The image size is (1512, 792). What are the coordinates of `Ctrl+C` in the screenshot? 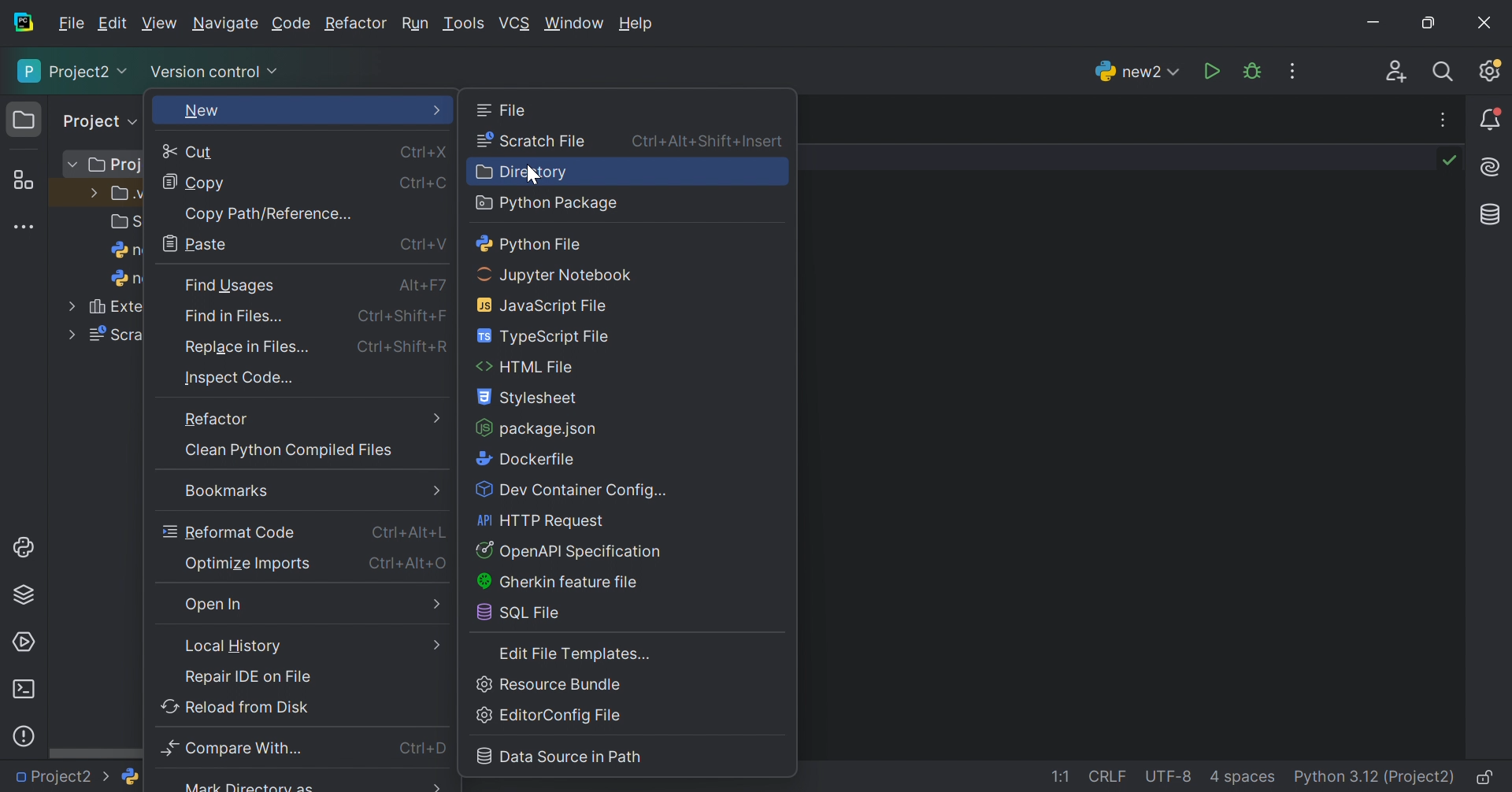 It's located at (424, 184).